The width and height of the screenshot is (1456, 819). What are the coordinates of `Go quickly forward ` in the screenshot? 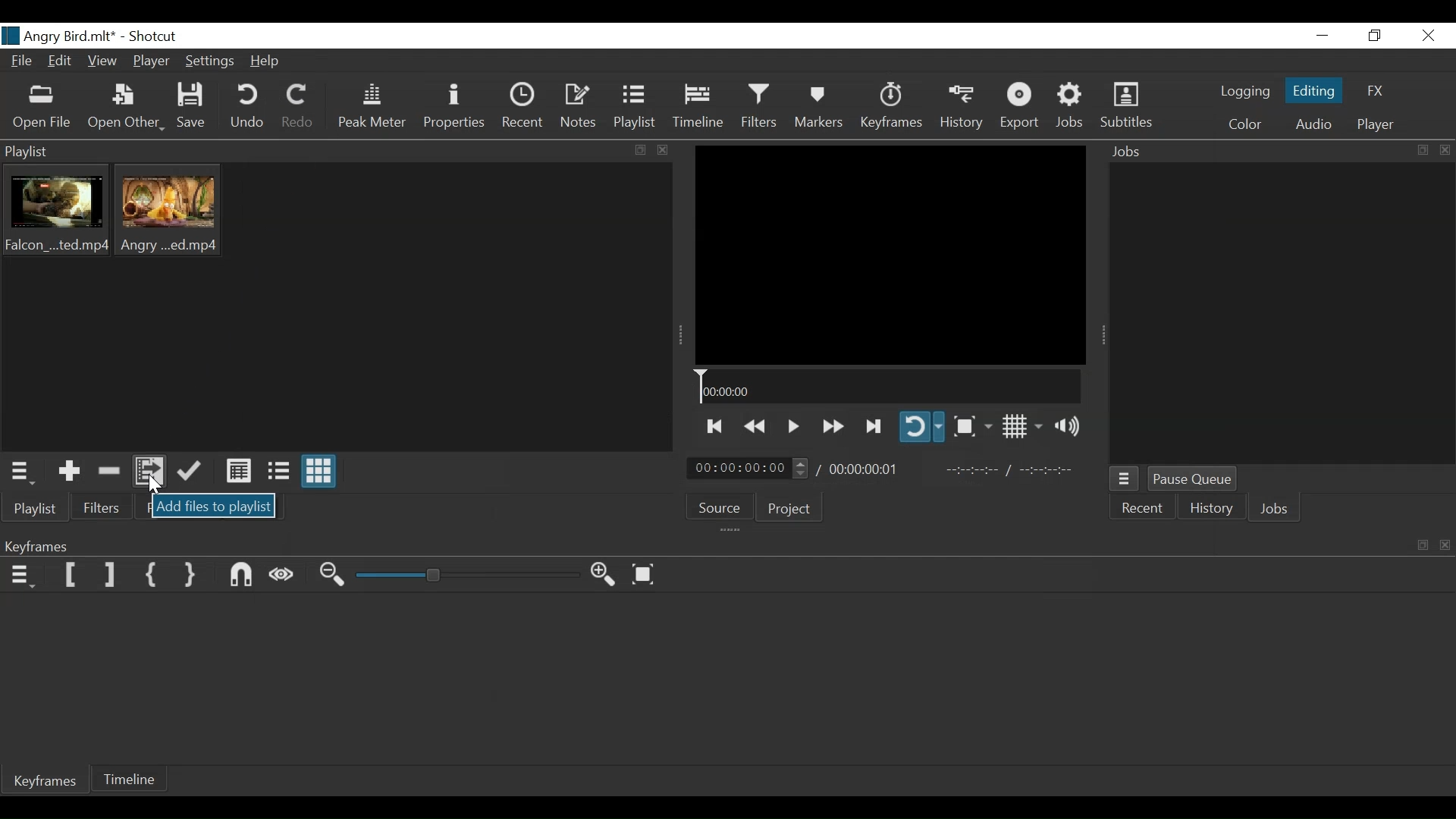 It's located at (832, 425).